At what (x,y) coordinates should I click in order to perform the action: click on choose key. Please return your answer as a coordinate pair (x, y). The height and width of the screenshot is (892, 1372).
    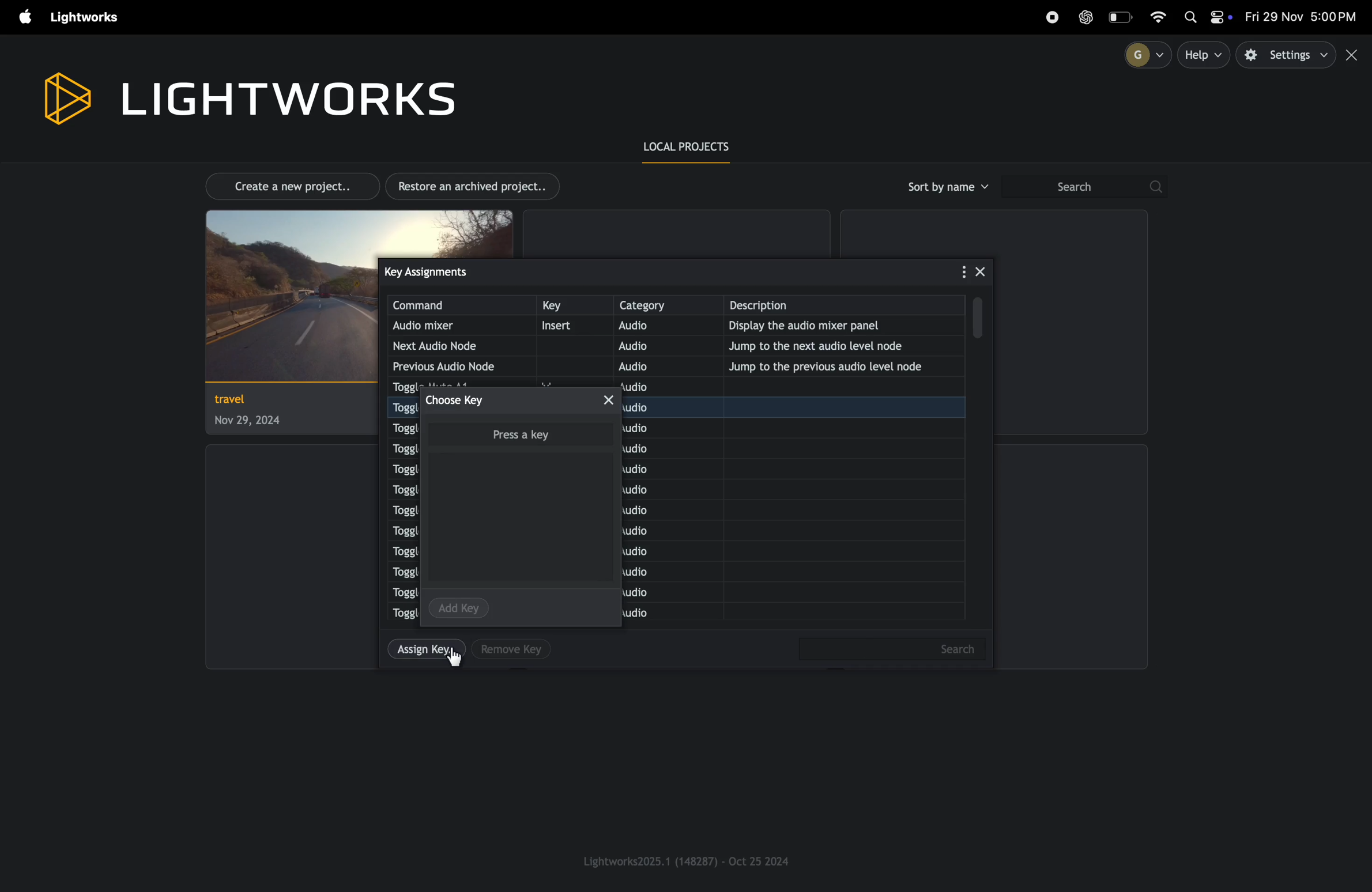
    Looking at the image, I should click on (463, 400).